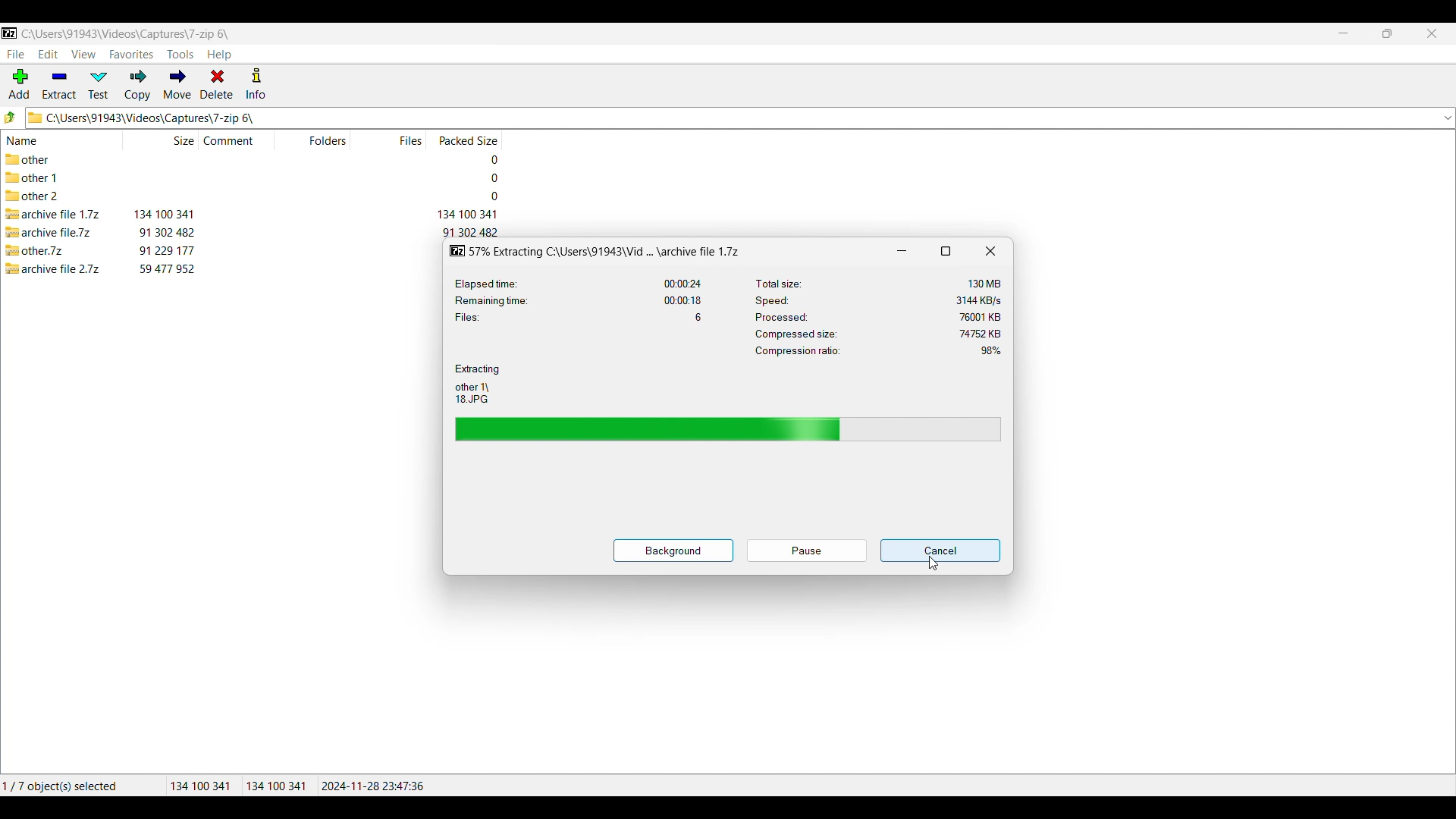 The width and height of the screenshot is (1456, 819). I want to click on Total size: 130 MB, so click(881, 282).